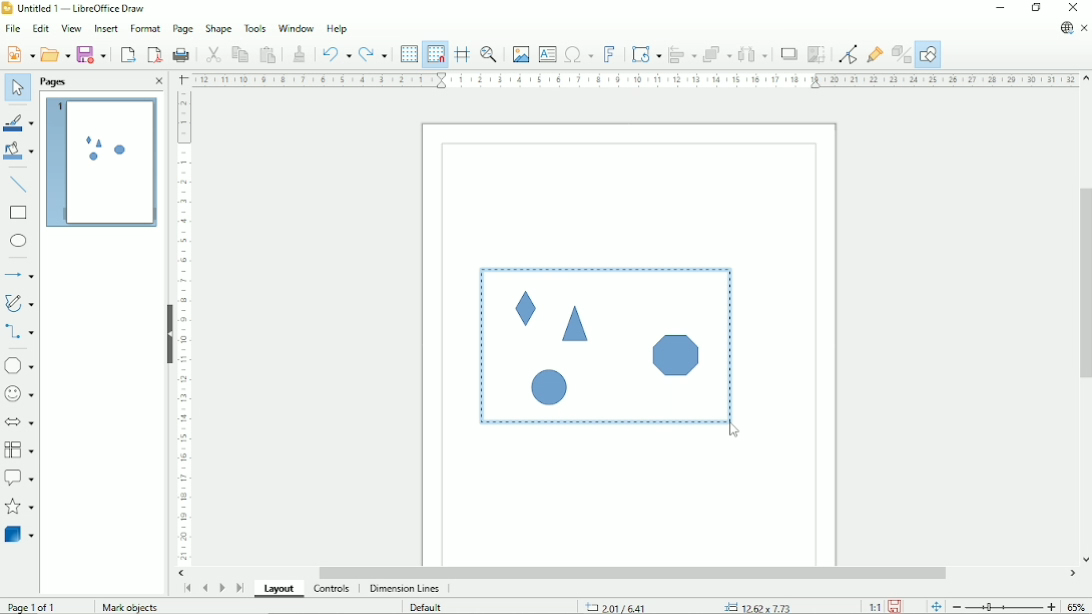  What do you see at coordinates (1084, 286) in the screenshot?
I see `Vertical scrollbar` at bounding box center [1084, 286].